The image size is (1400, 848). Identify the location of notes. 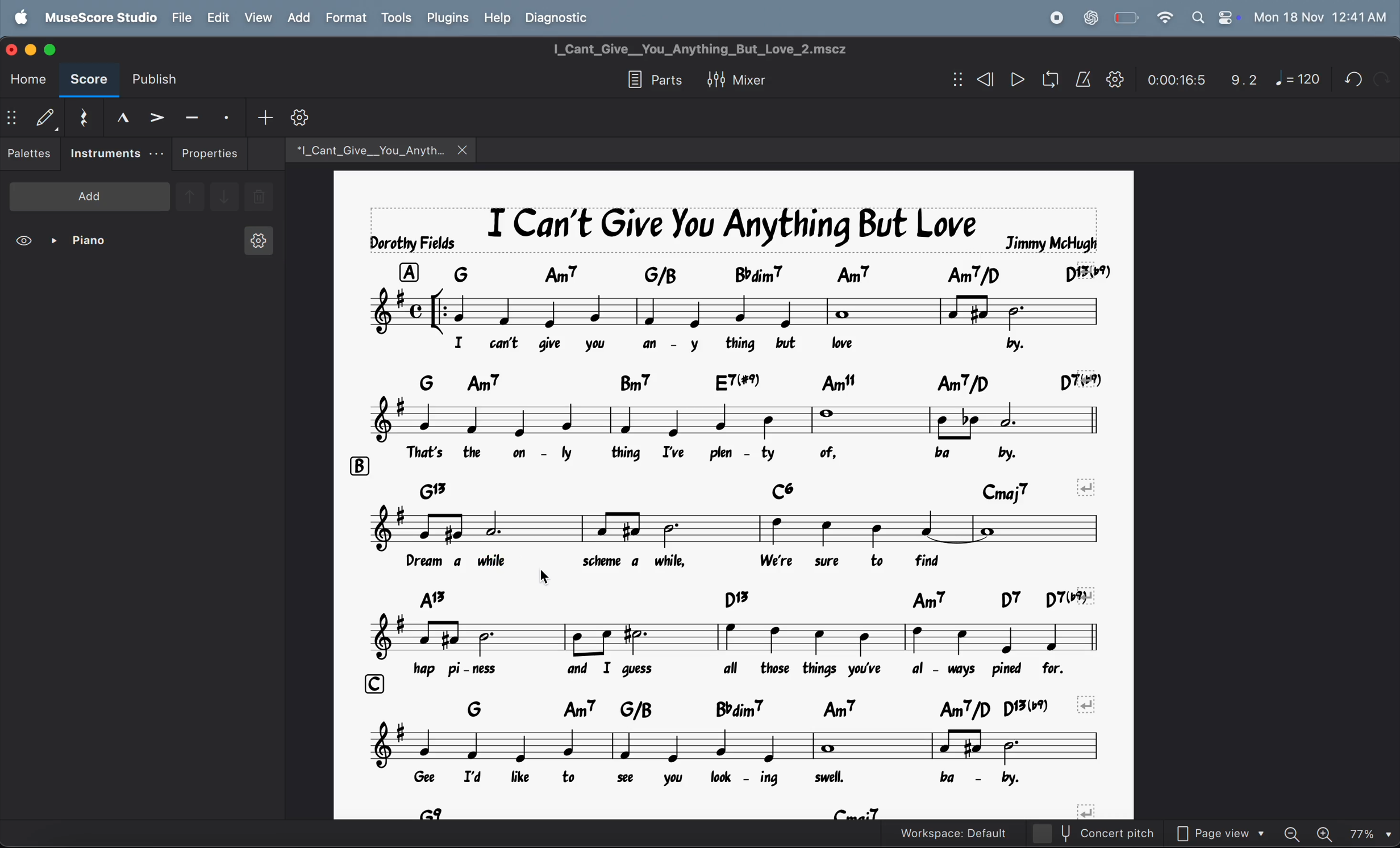
(733, 528).